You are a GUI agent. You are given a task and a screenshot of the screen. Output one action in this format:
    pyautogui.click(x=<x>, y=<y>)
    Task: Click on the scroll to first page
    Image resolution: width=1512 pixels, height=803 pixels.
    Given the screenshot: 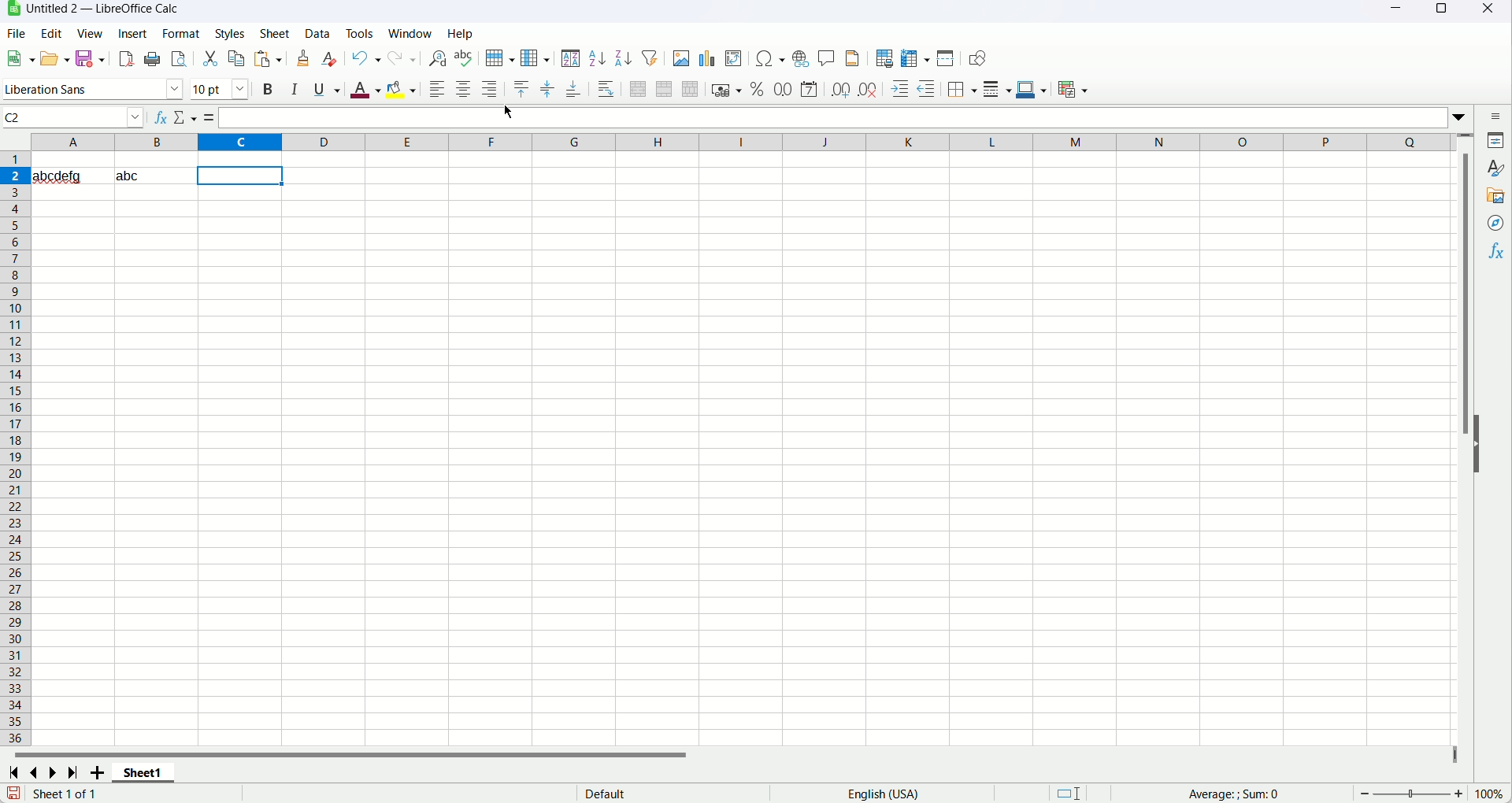 What is the action you would take?
    pyautogui.click(x=13, y=772)
    